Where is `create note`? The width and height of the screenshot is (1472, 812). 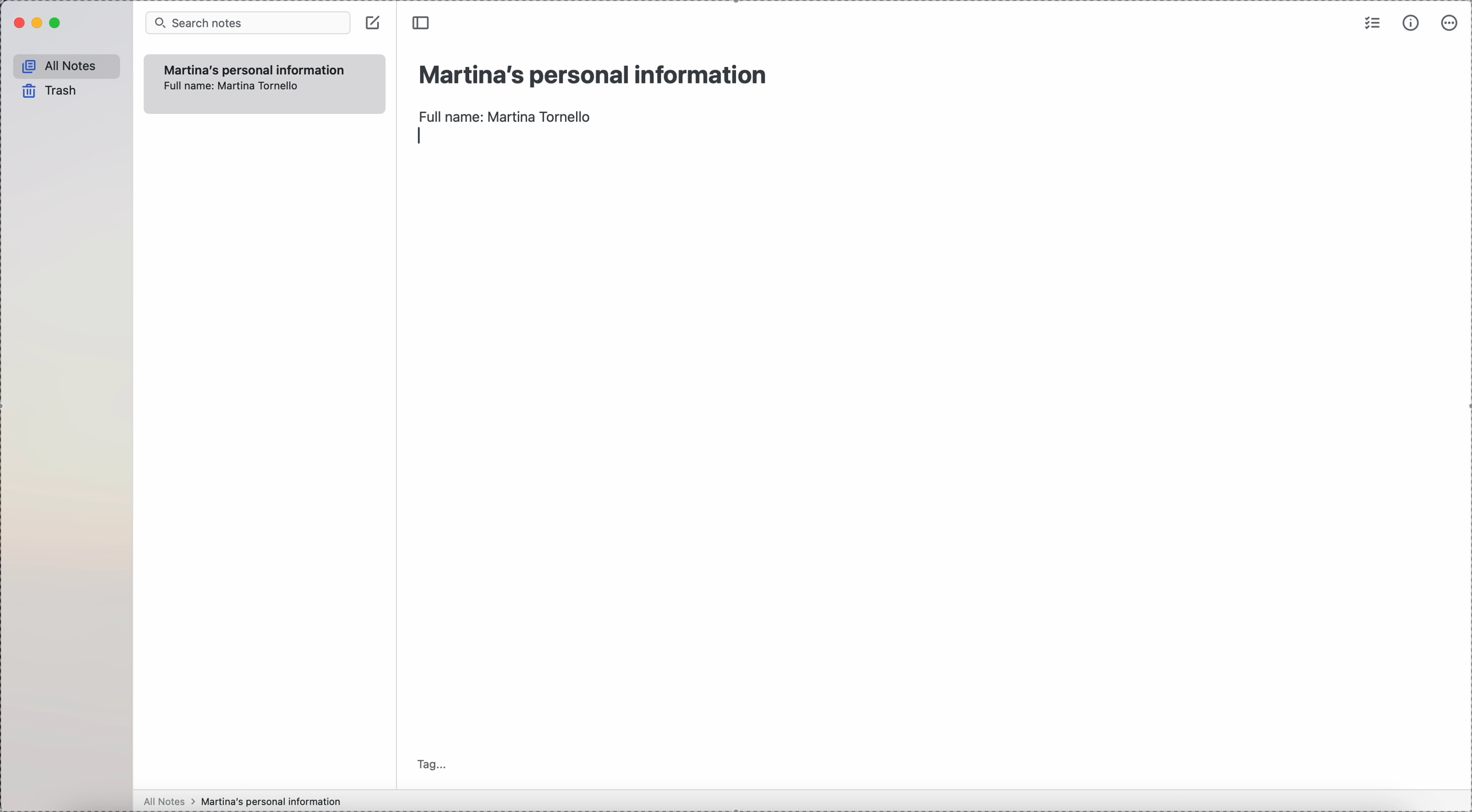
create note is located at coordinates (374, 23).